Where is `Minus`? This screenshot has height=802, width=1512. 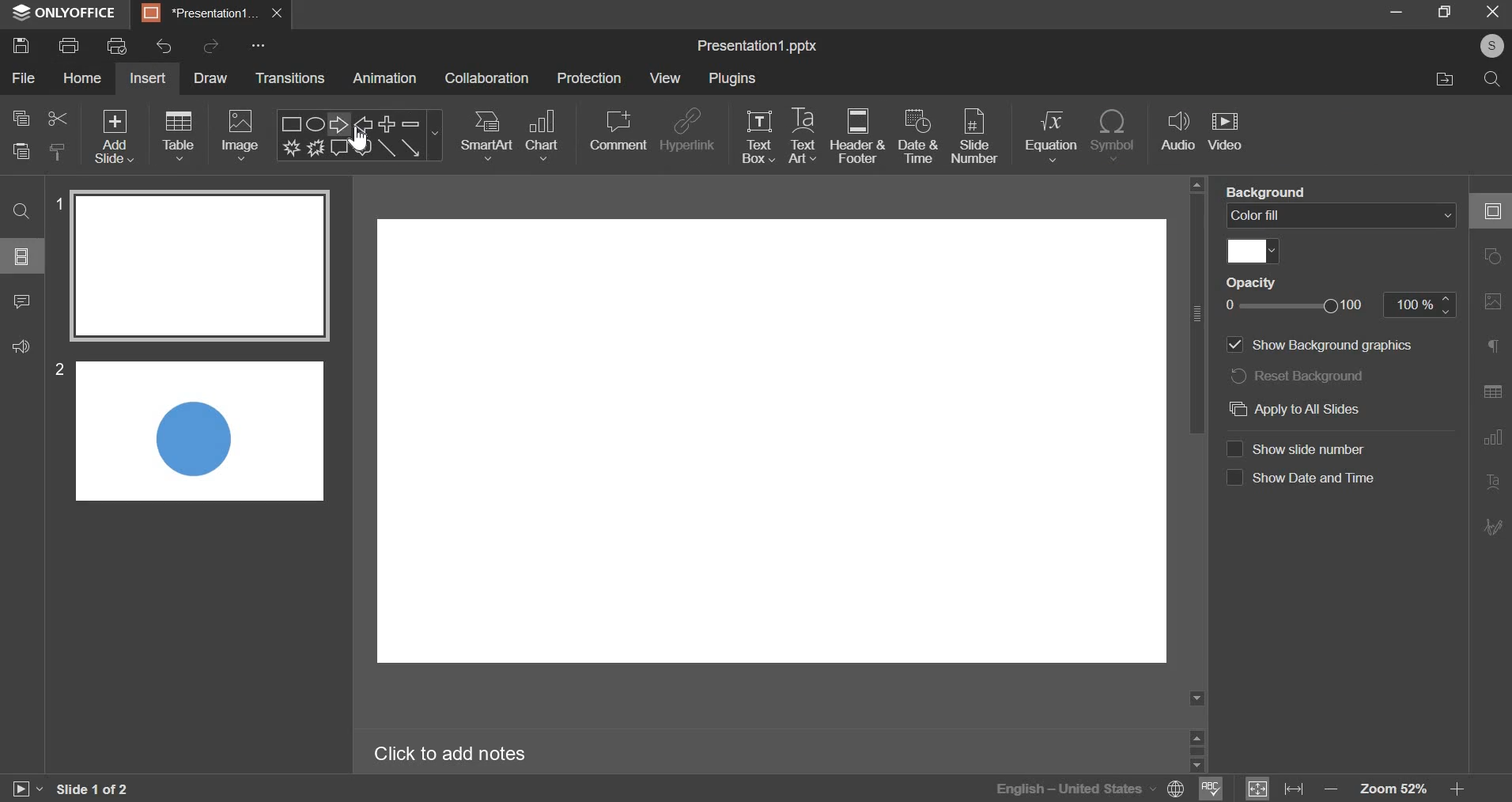 Minus is located at coordinates (411, 123).